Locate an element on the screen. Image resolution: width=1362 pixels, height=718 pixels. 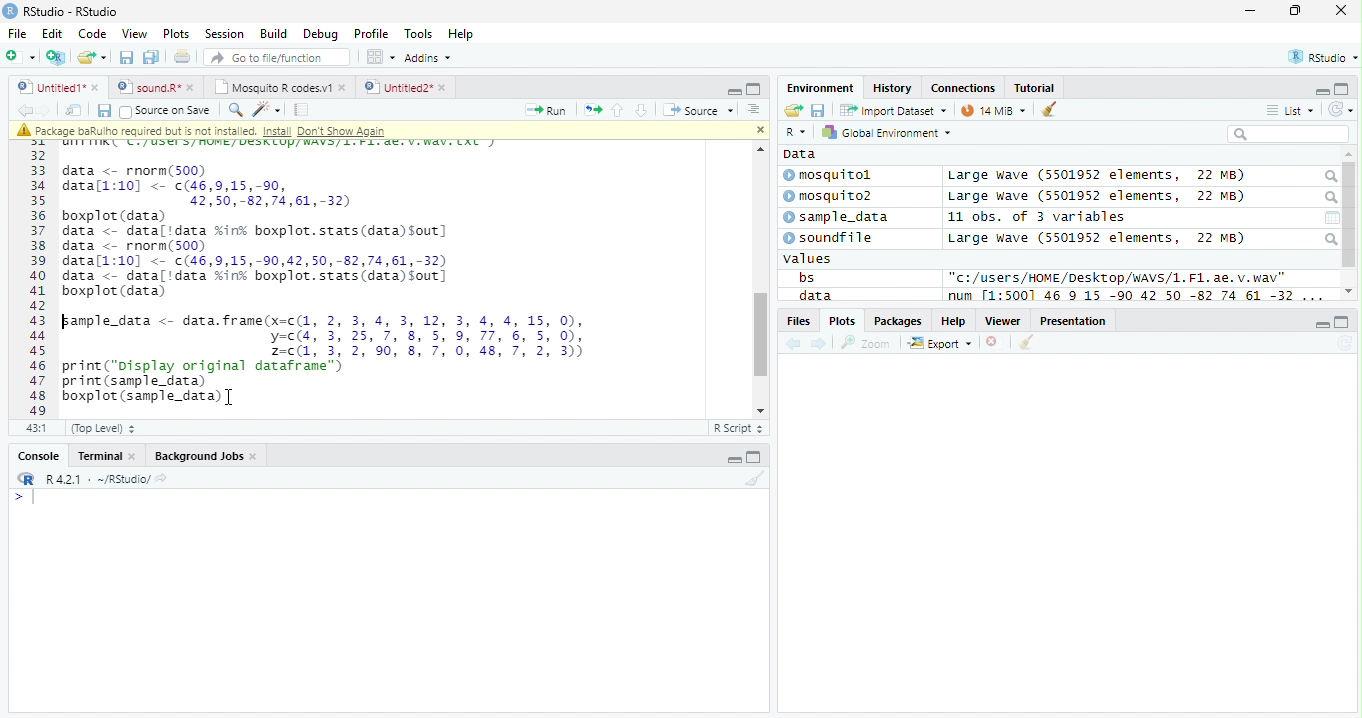
Data is located at coordinates (800, 154).